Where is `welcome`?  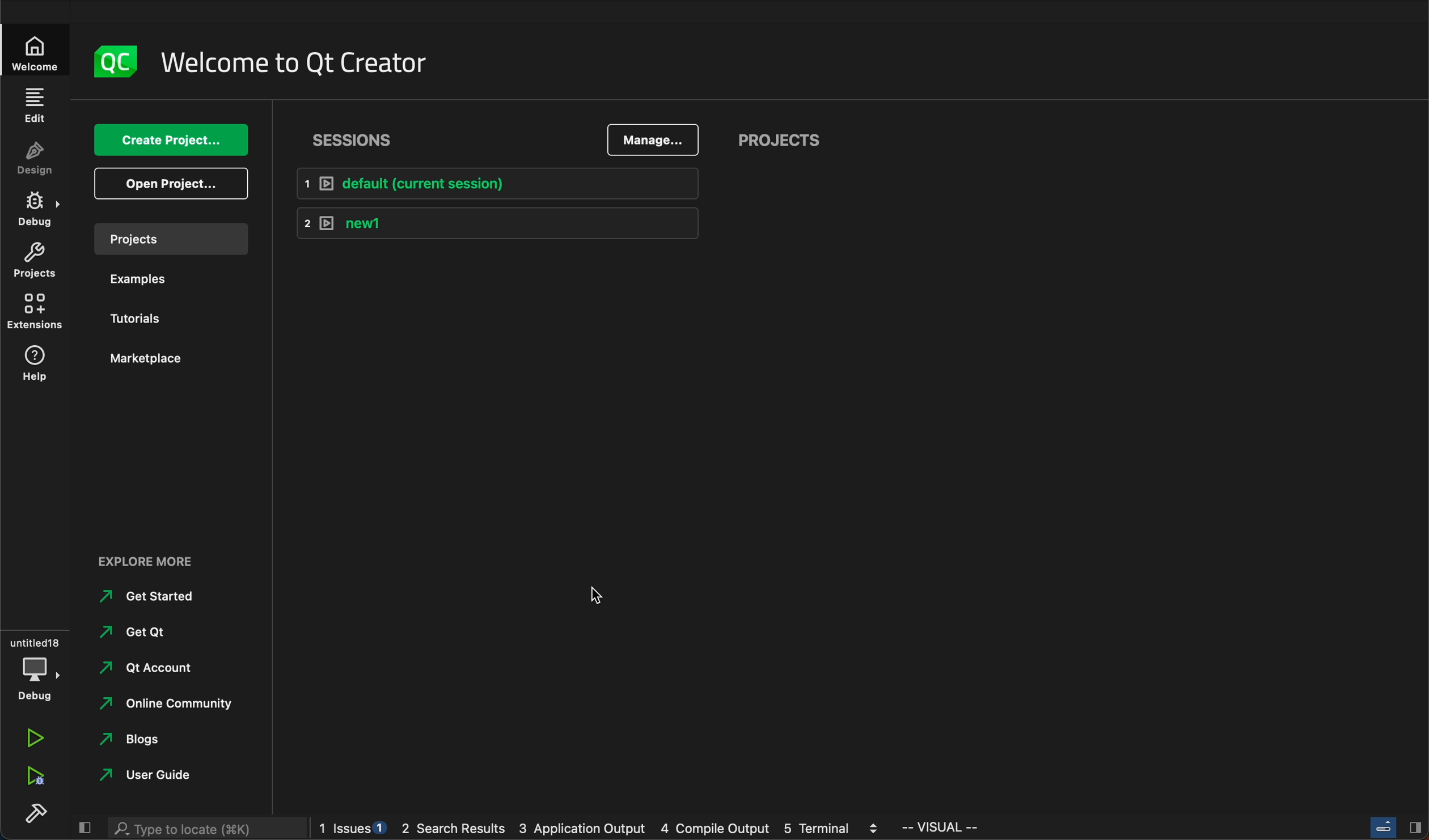
welcome is located at coordinates (41, 52).